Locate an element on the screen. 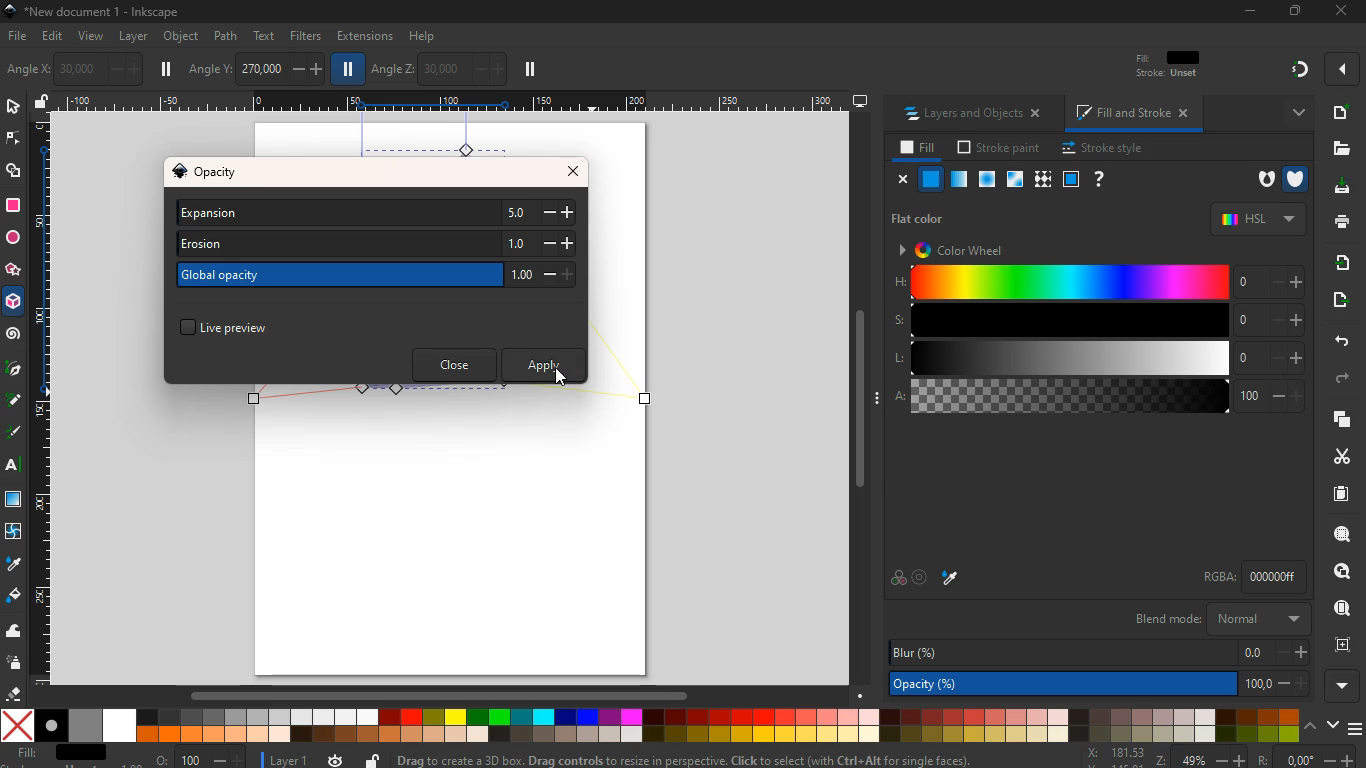  hole is located at coordinates (1259, 180).